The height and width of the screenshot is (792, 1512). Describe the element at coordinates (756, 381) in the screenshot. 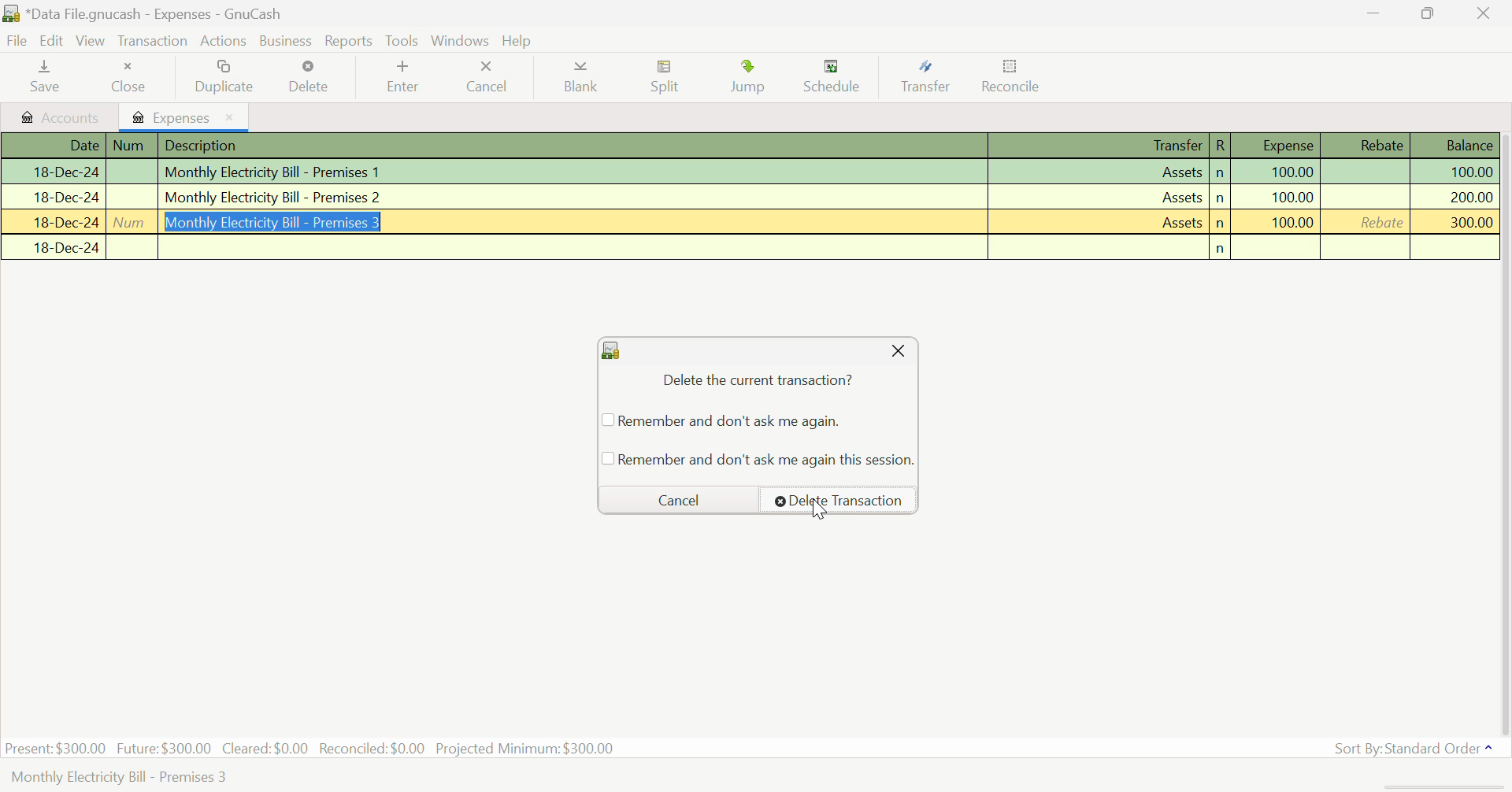

I see `Delete the current transaction?` at that location.